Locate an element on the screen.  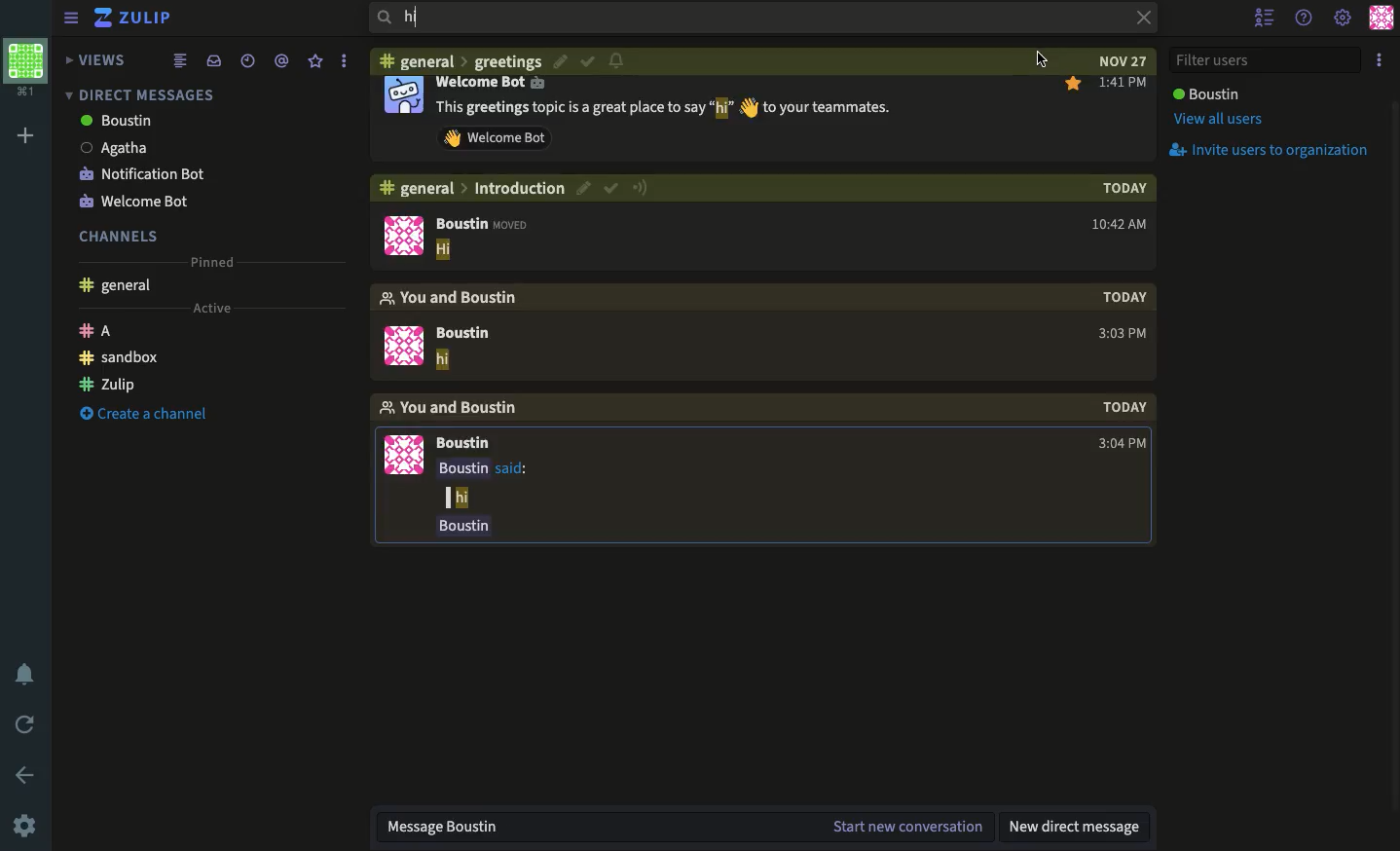
today is located at coordinates (1124, 297).